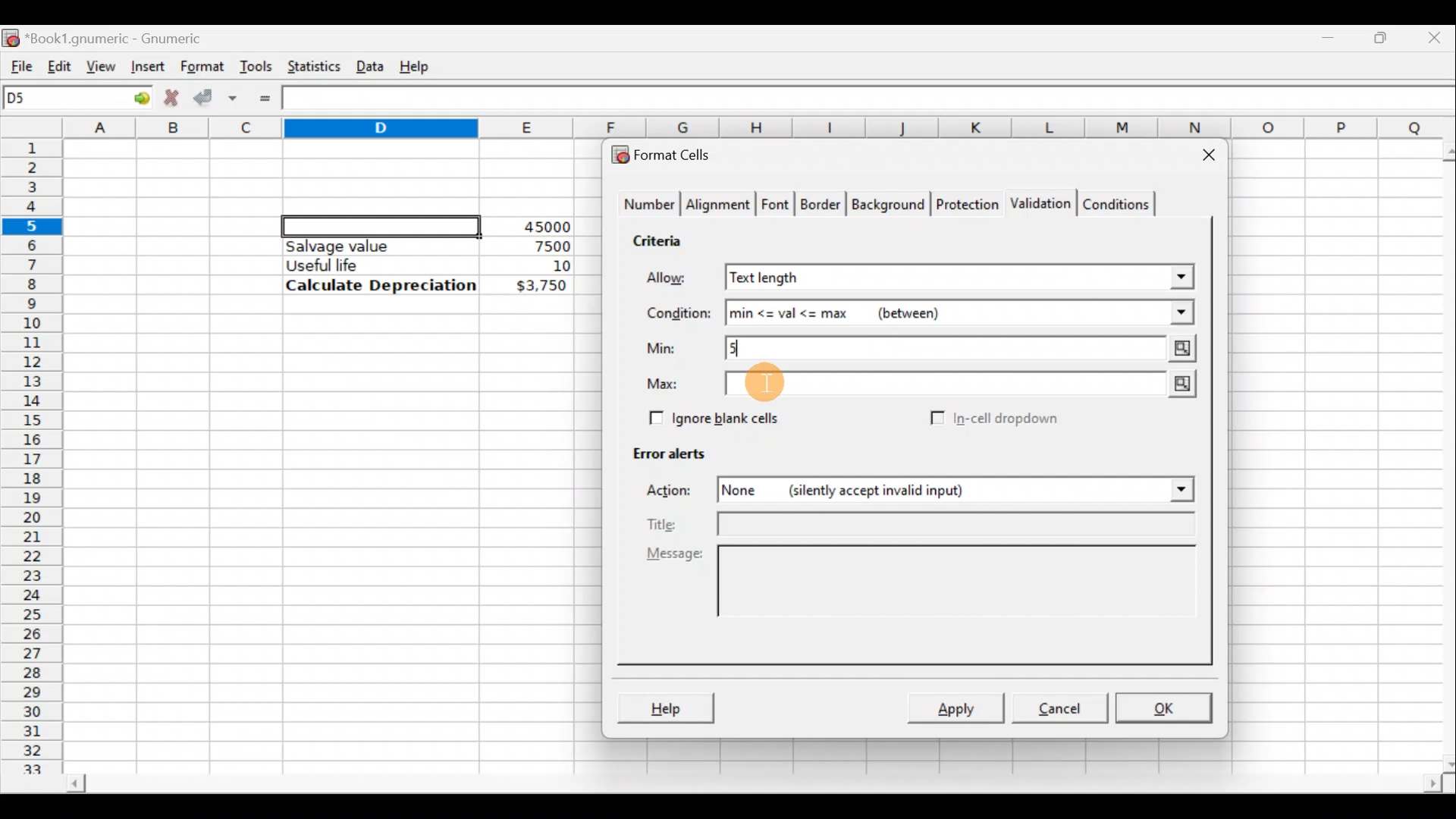 The image size is (1456, 819). Describe the element at coordinates (124, 37) in the screenshot. I see `Book1.gnumeric - Gnumeric` at that location.